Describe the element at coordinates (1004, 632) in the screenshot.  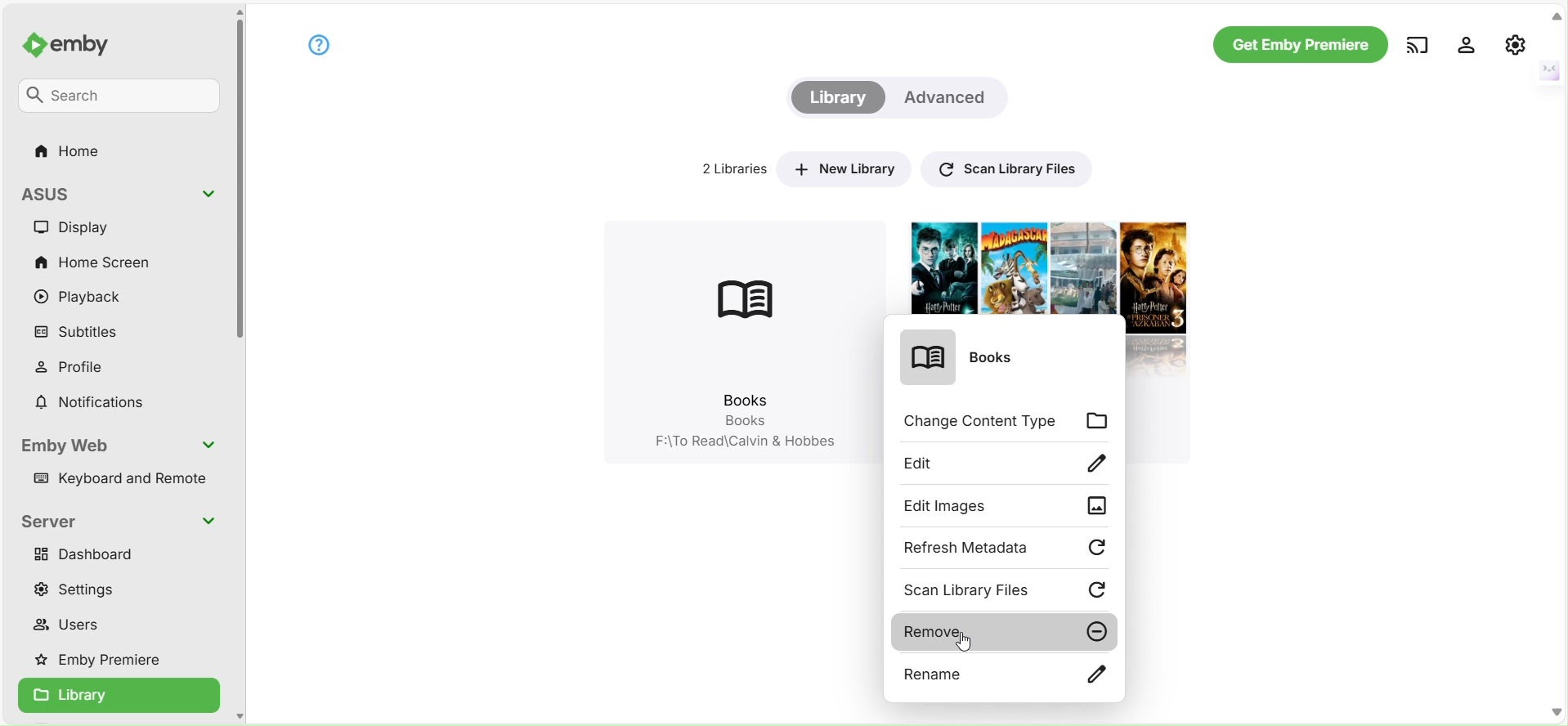
I see `Remove` at that location.